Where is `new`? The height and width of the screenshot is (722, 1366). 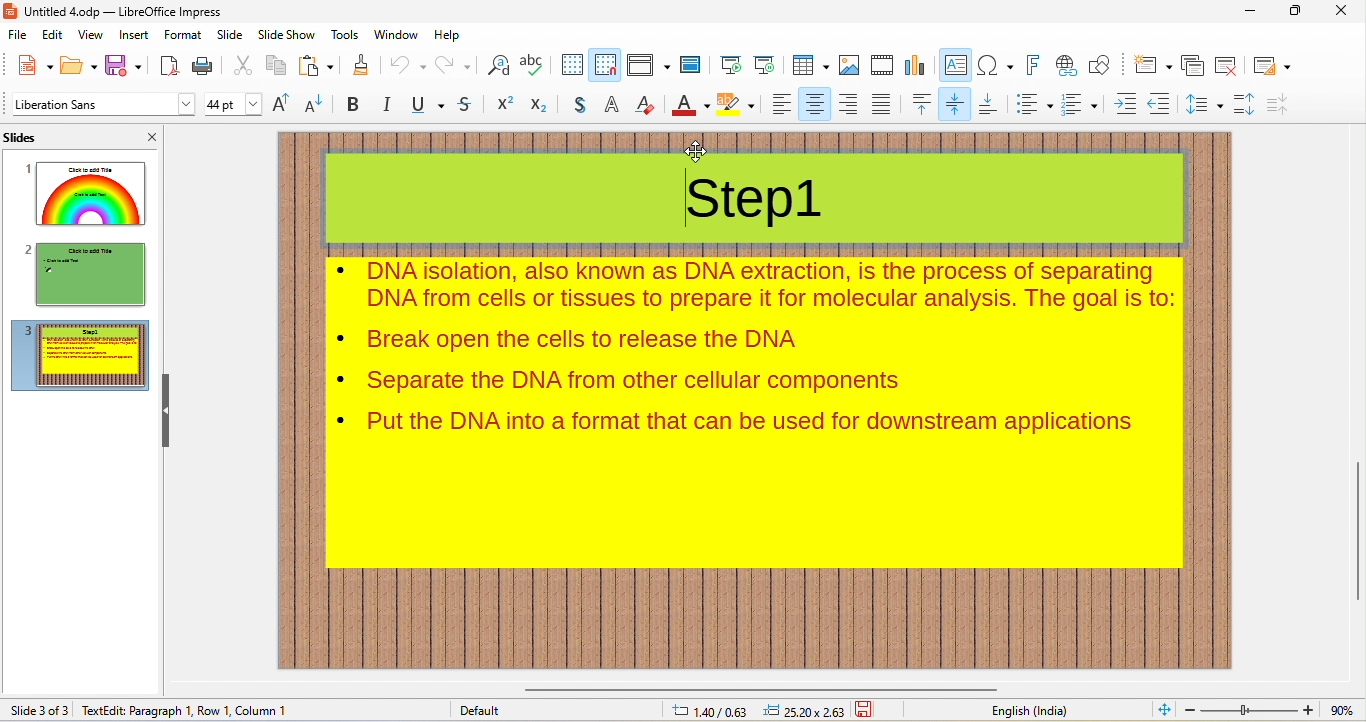
new is located at coordinates (33, 64).